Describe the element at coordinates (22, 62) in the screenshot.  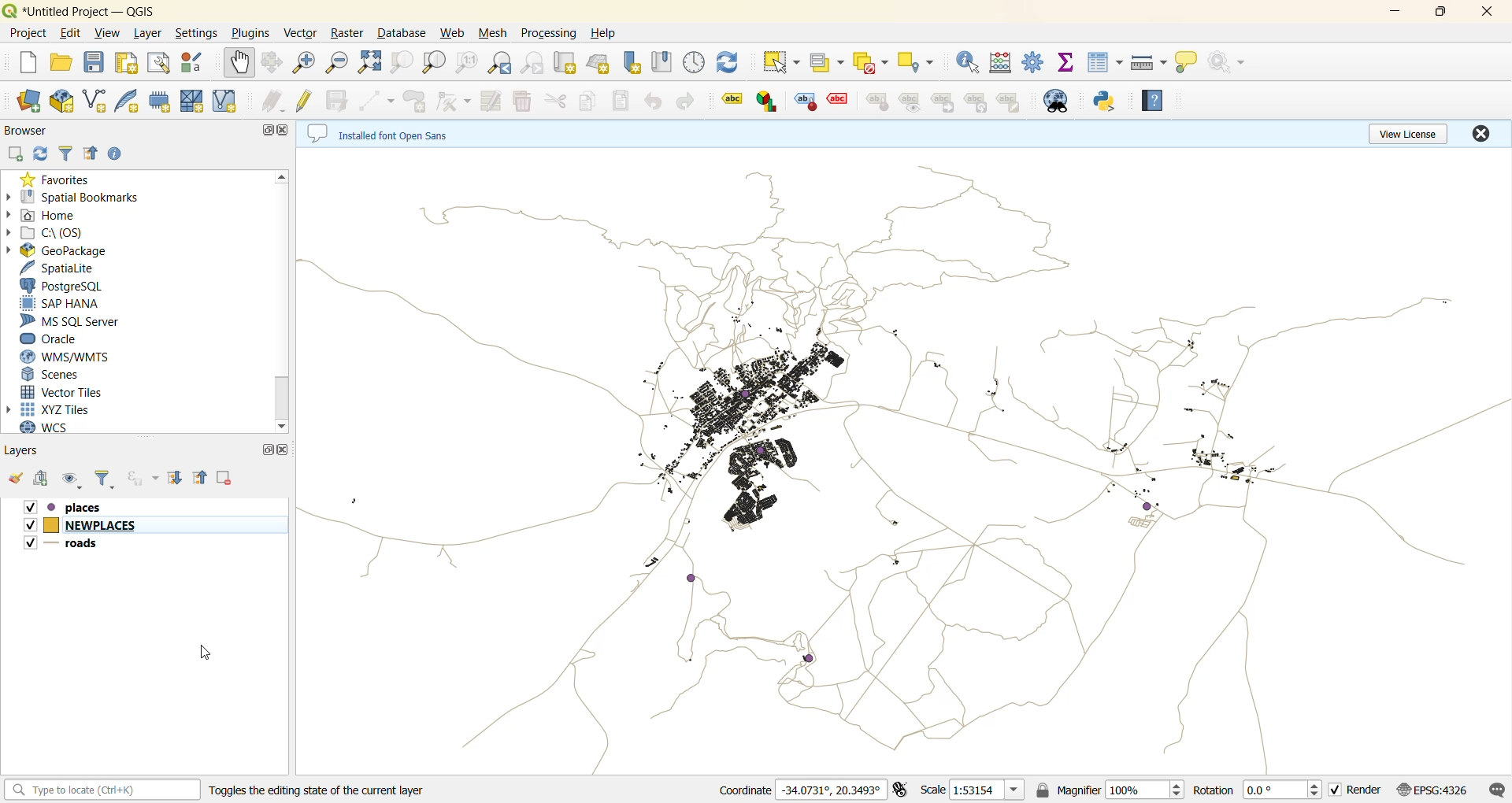
I see `new` at that location.